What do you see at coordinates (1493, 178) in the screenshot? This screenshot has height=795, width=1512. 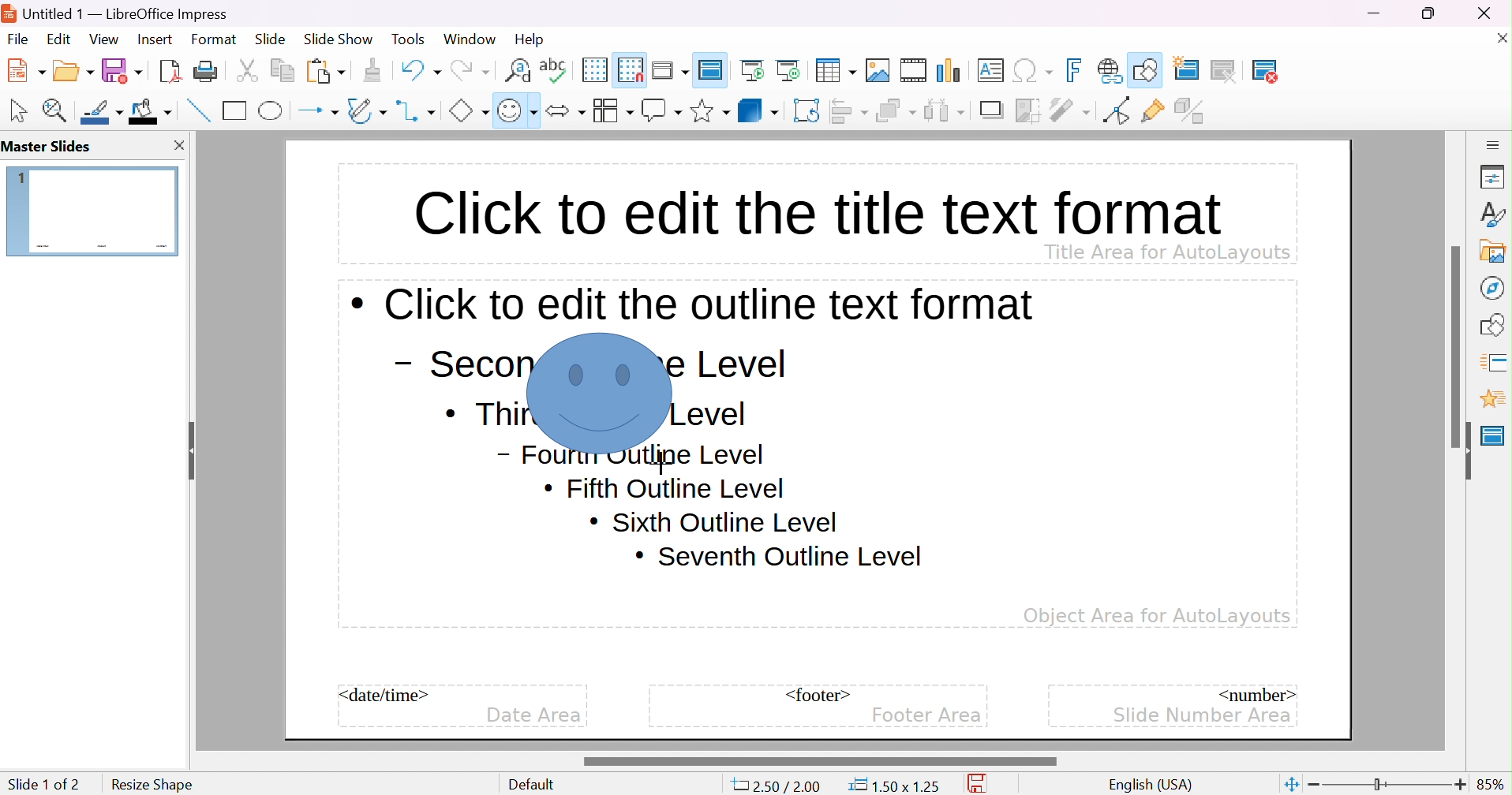 I see `properties` at bounding box center [1493, 178].